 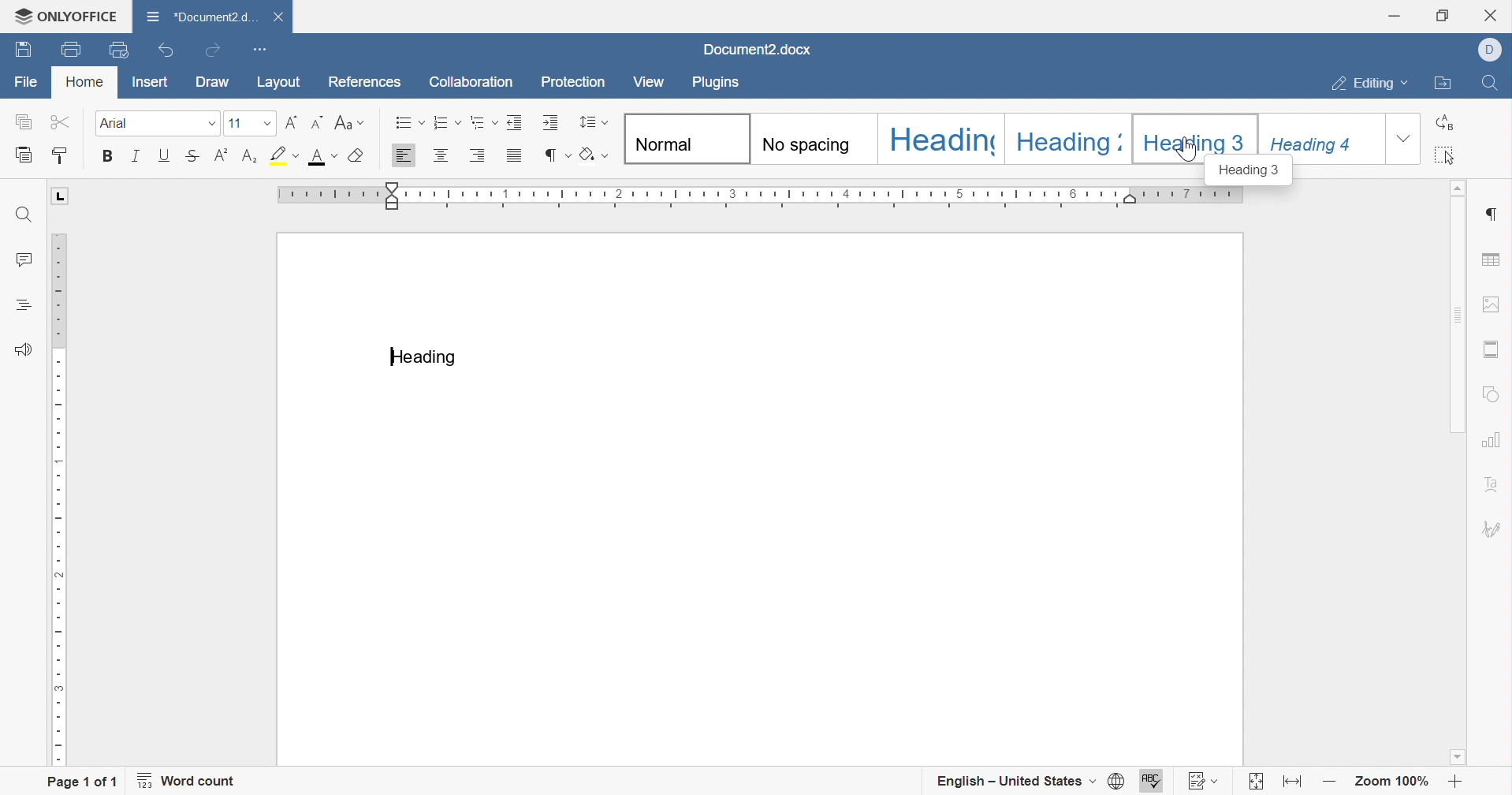 What do you see at coordinates (164, 157) in the screenshot?
I see `Underline` at bounding box center [164, 157].